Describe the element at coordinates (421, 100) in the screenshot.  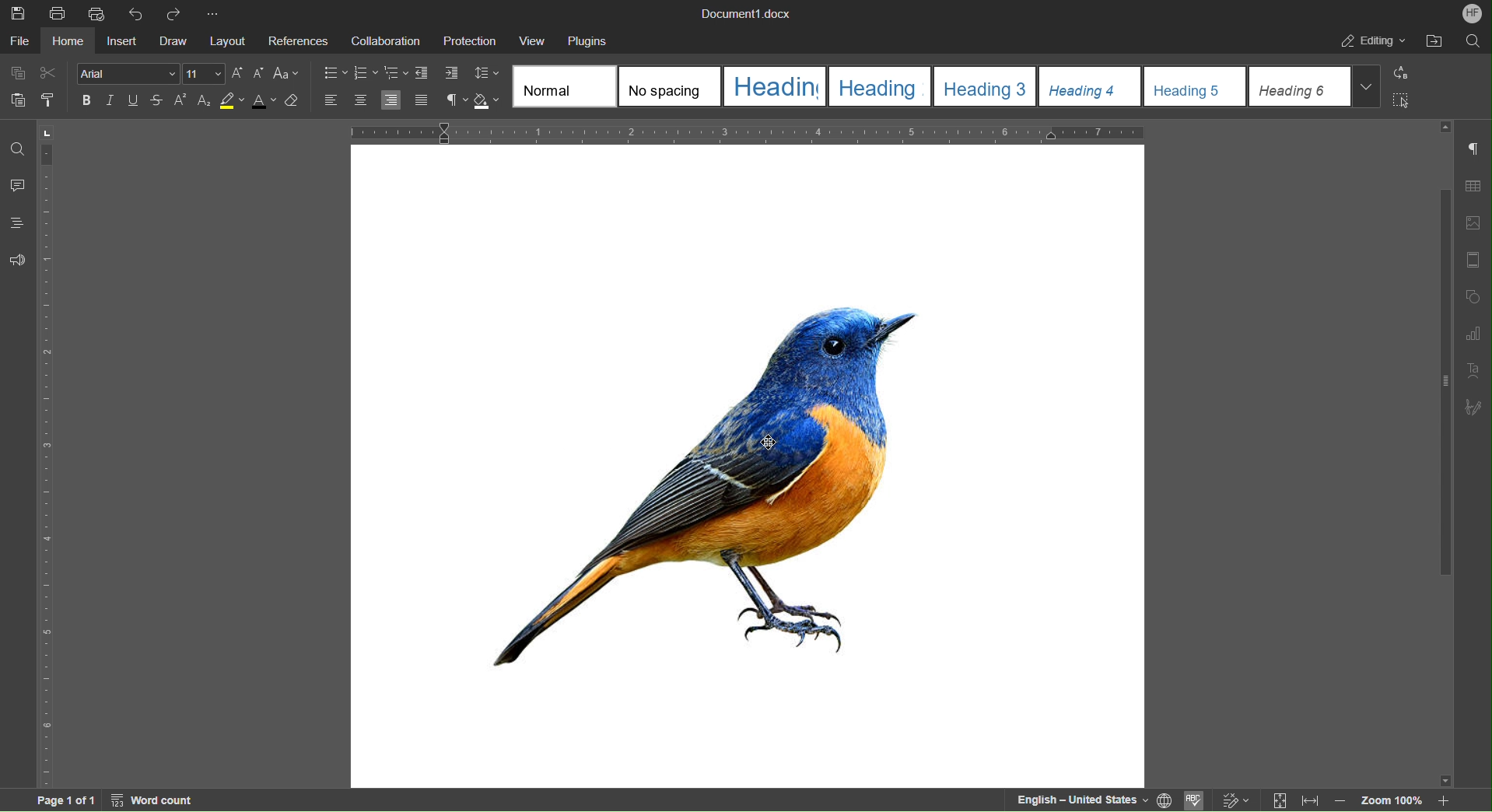
I see `Justify` at that location.